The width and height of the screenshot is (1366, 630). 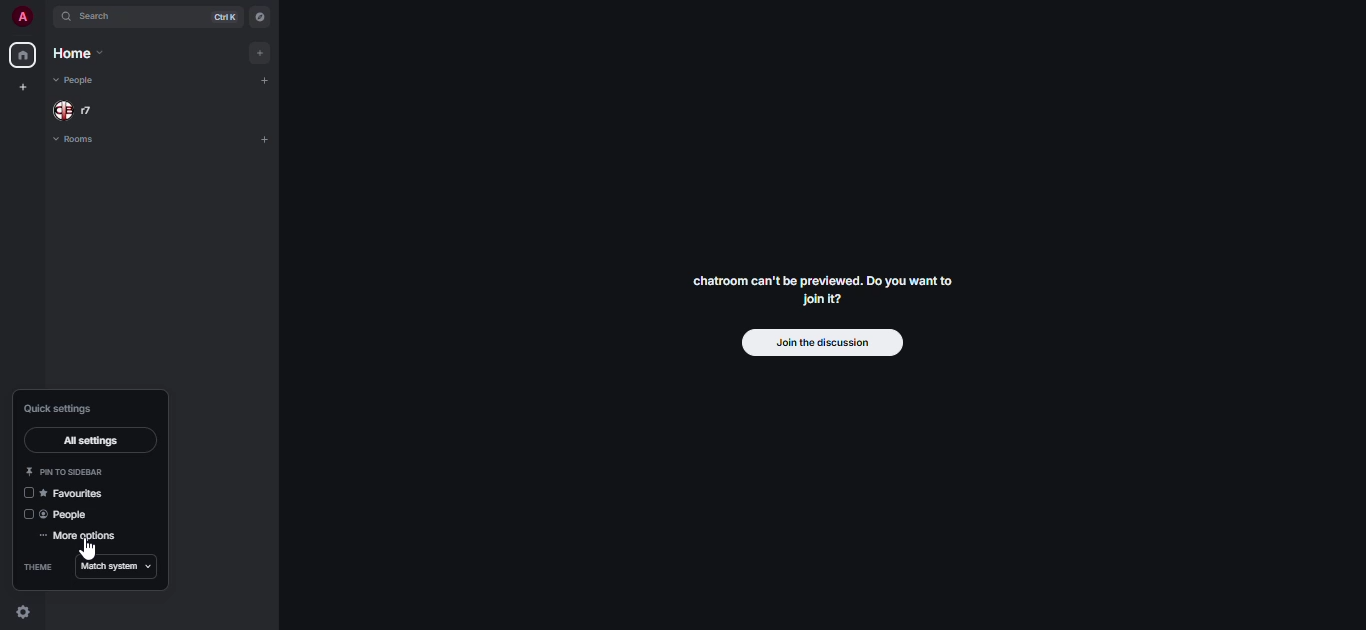 What do you see at coordinates (81, 109) in the screenshot?
I see `people` at bounding box center [81, 109].